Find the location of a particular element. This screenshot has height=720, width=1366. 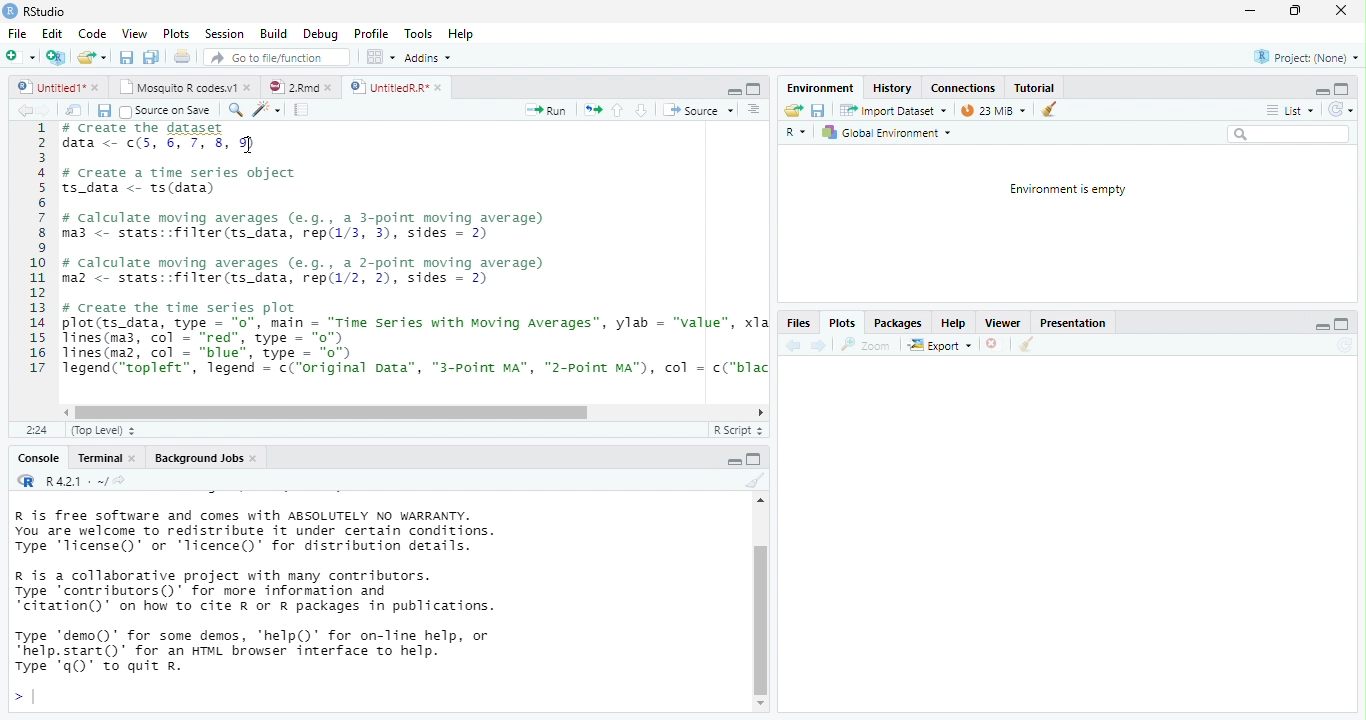

‘Environment is located at coordinates (819, 88).